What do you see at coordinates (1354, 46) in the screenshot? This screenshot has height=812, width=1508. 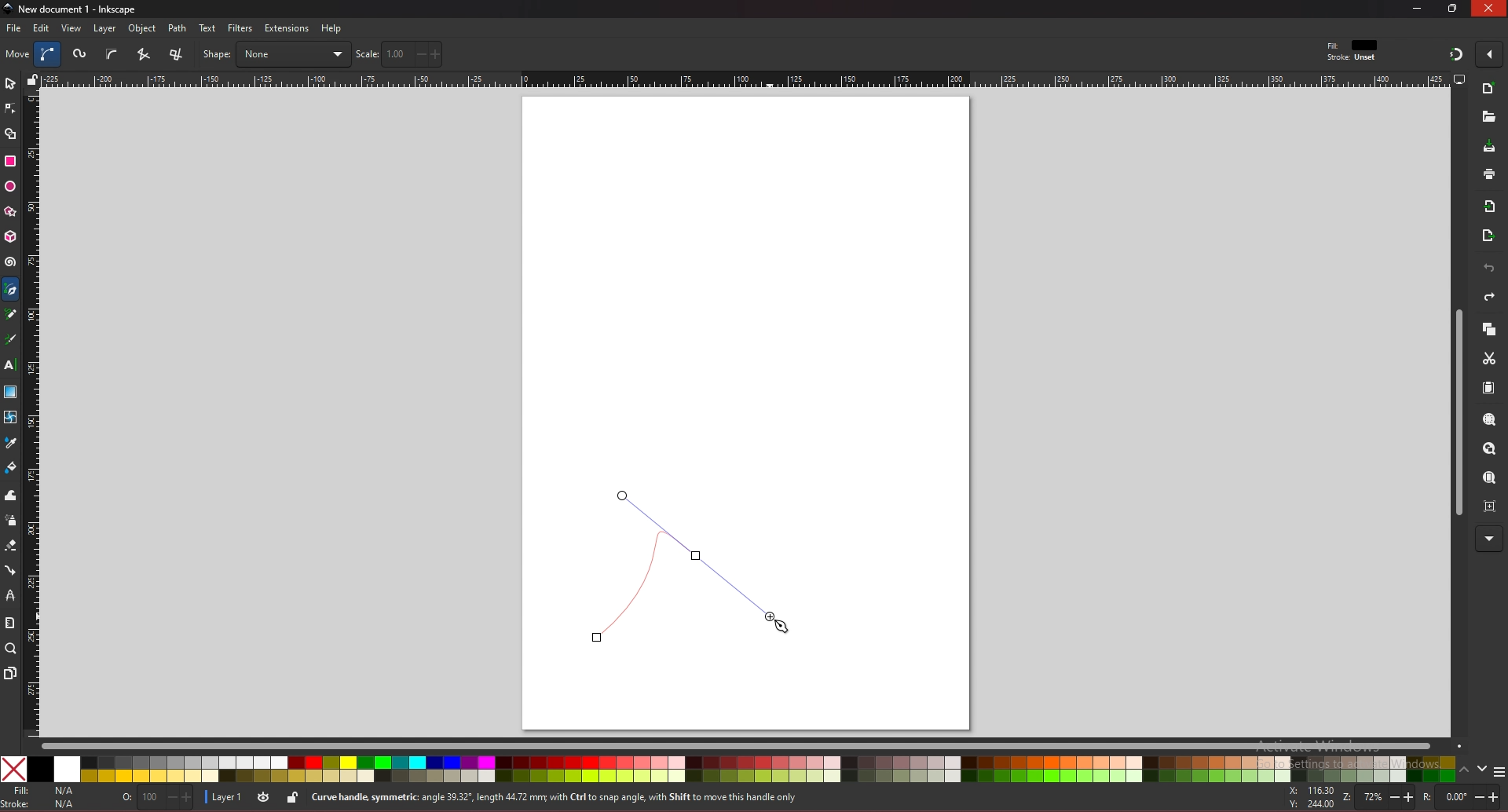 I see `fit` at bounding box center [1354, 46].